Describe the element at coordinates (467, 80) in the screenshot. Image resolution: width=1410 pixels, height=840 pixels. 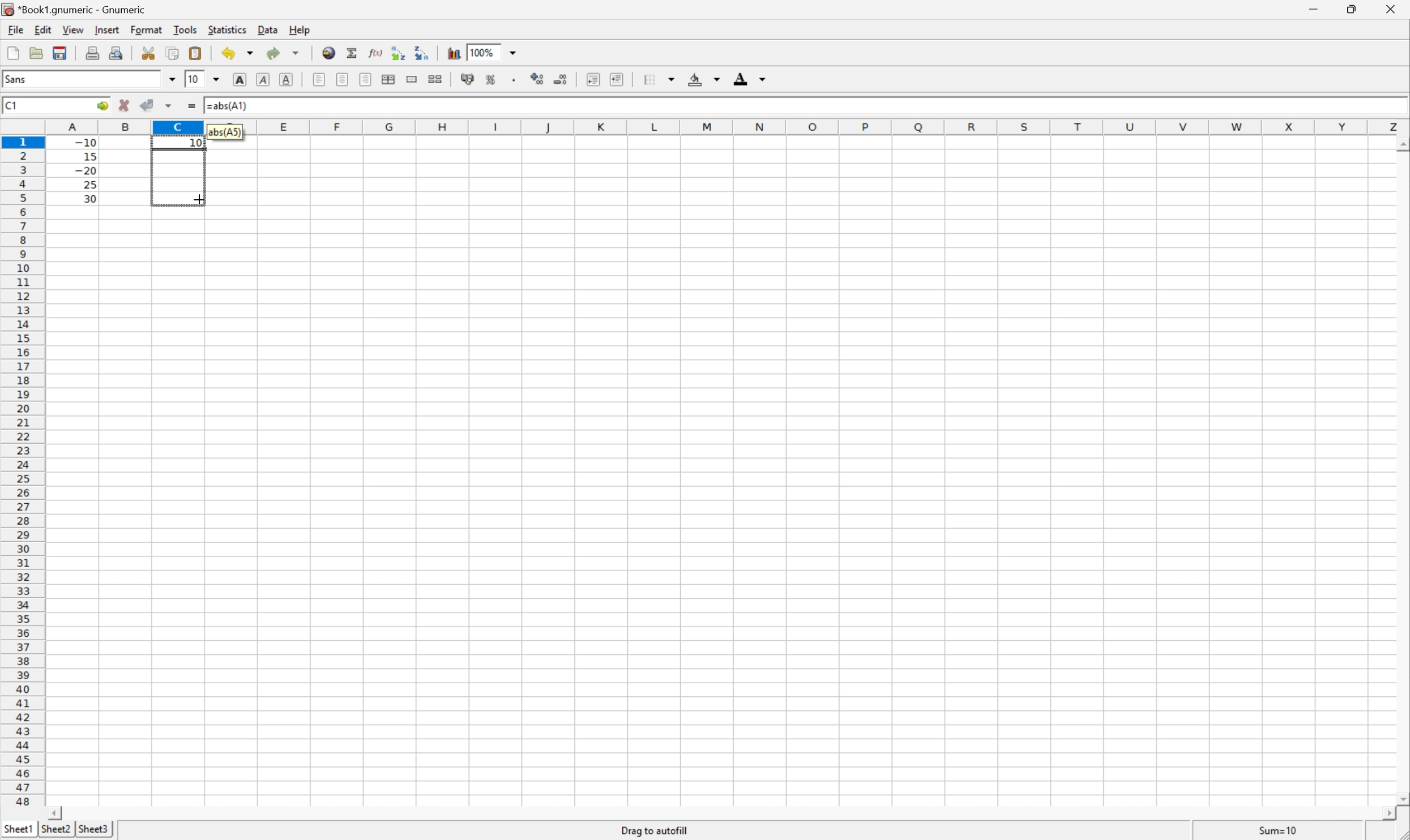
I see `Format the selection as accounting` at that location.